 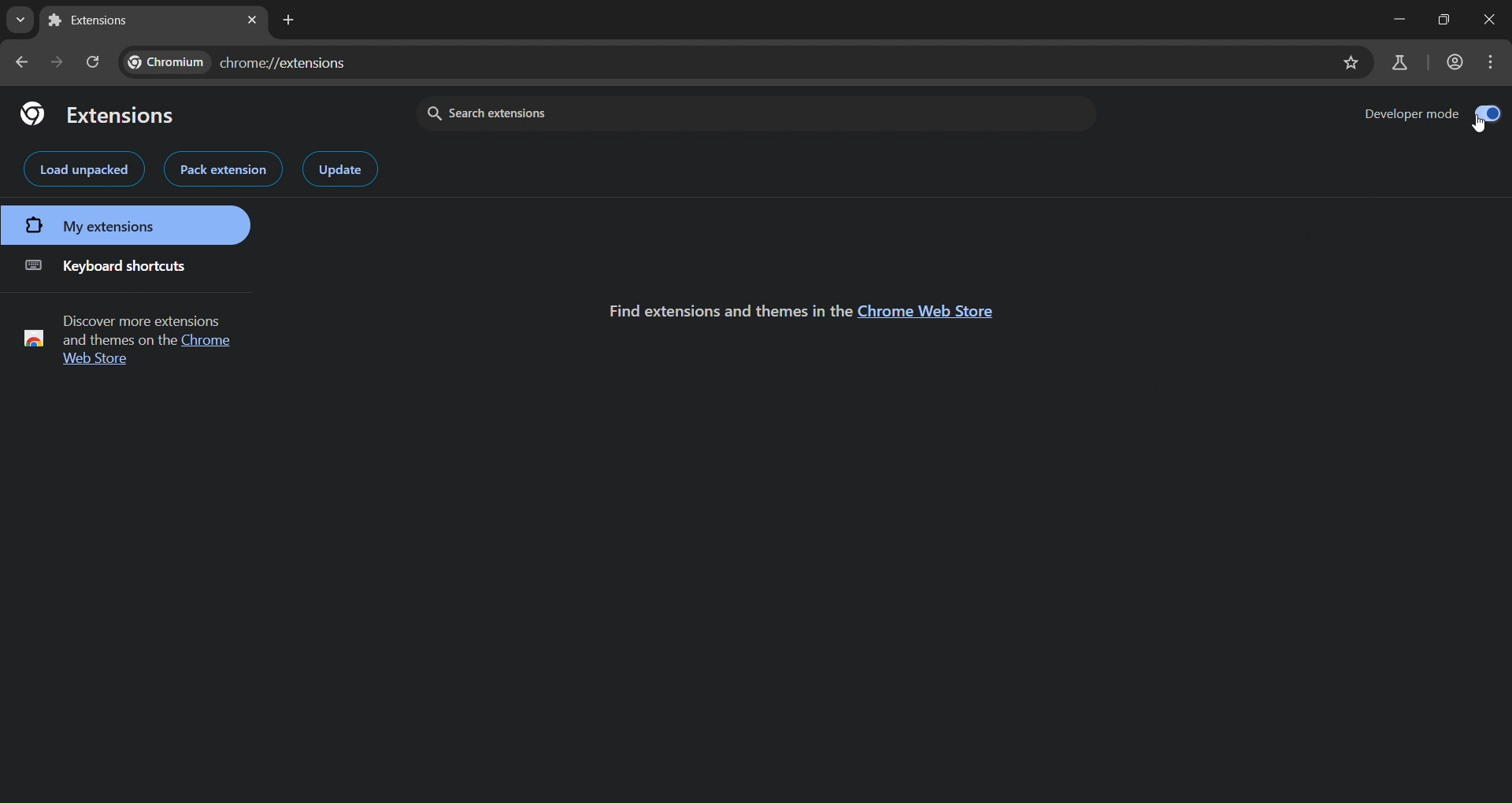 What do you see at coordinates (339, 169) in the screenshot?
I see `update` at bounding box center [339, 169].